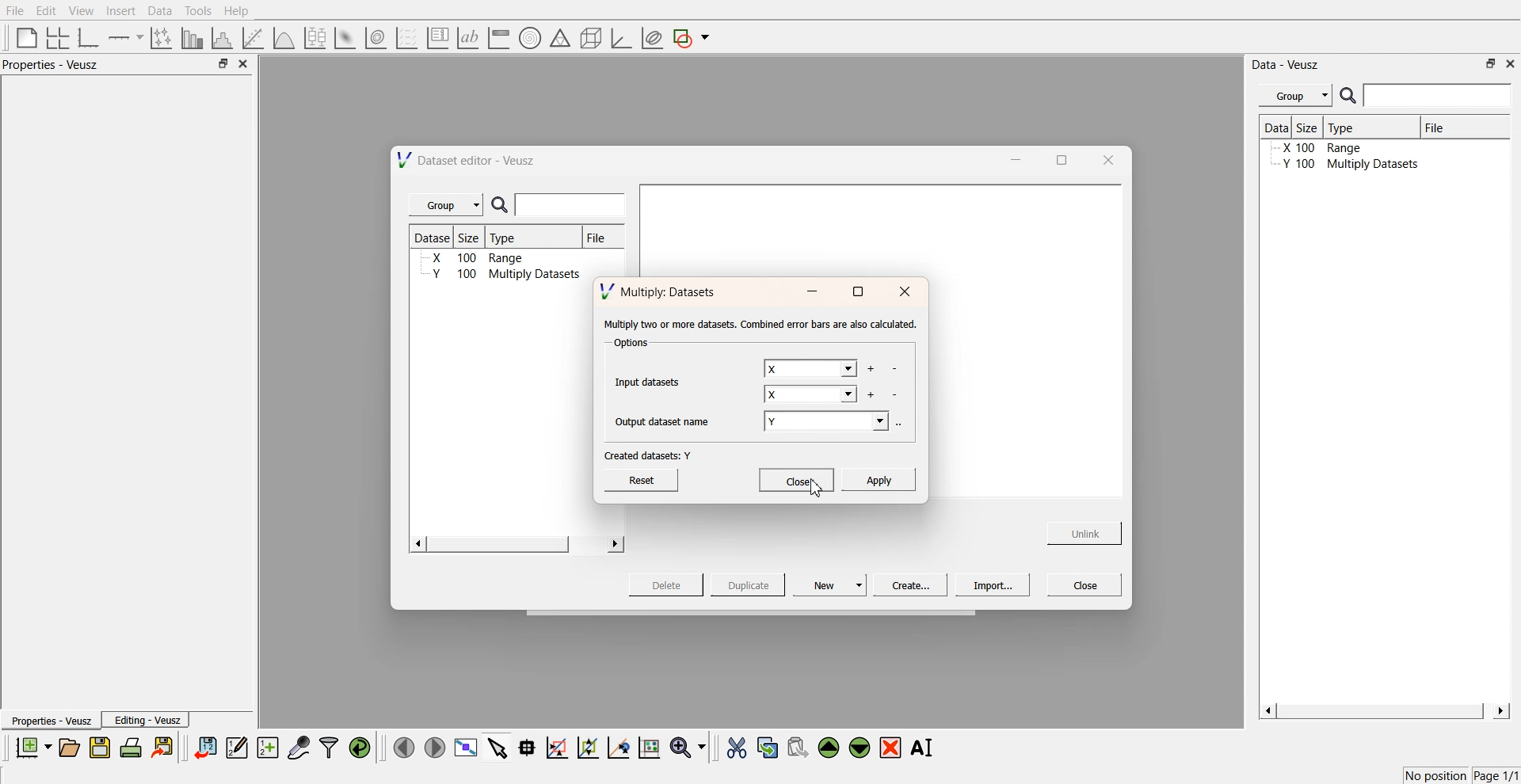  Describe the element at coordinates (558, 40) in the screenshot. I see `ternary shapes` at that location.